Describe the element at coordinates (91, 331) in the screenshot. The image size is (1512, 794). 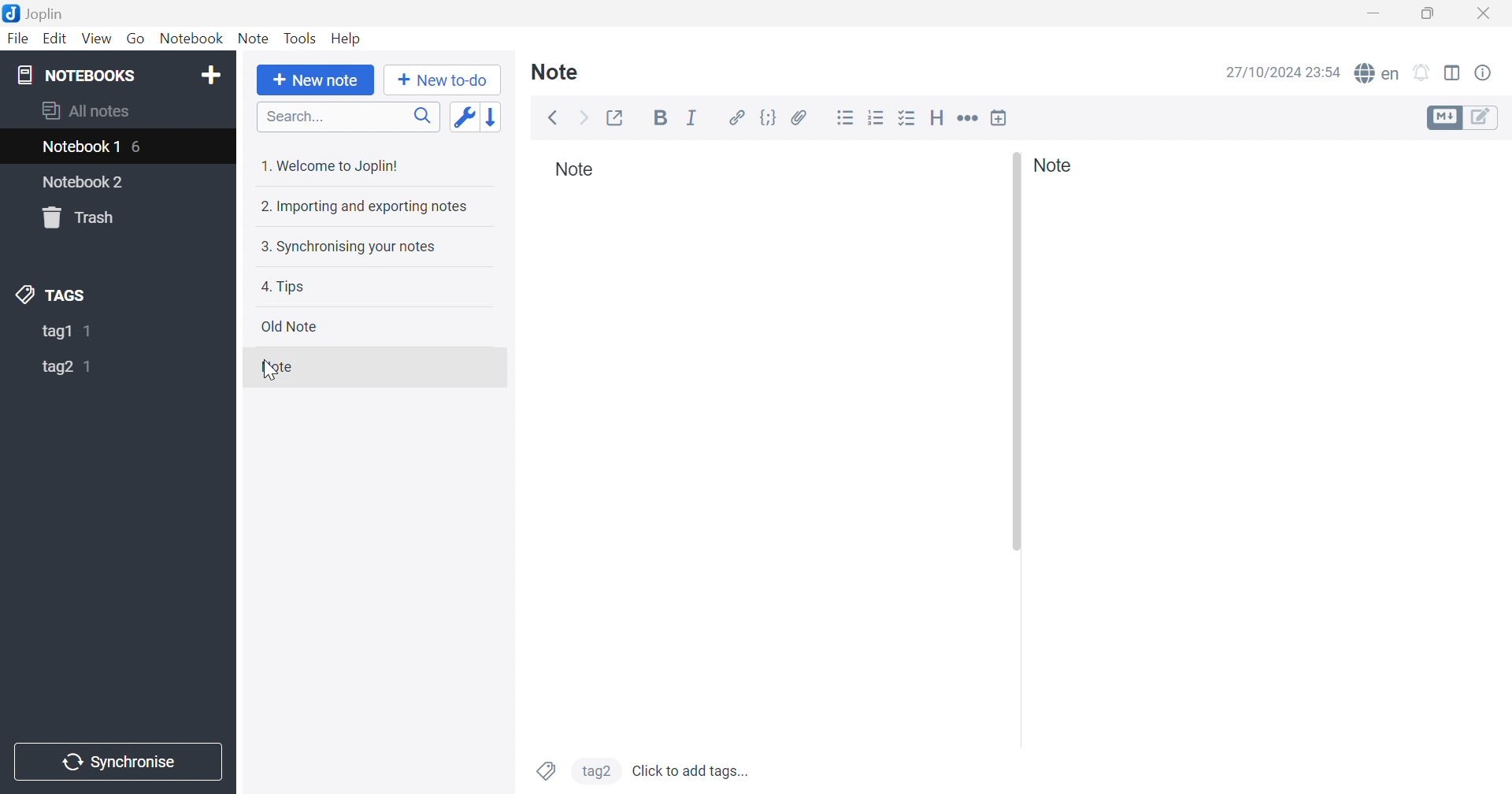
I see `1` at that location.